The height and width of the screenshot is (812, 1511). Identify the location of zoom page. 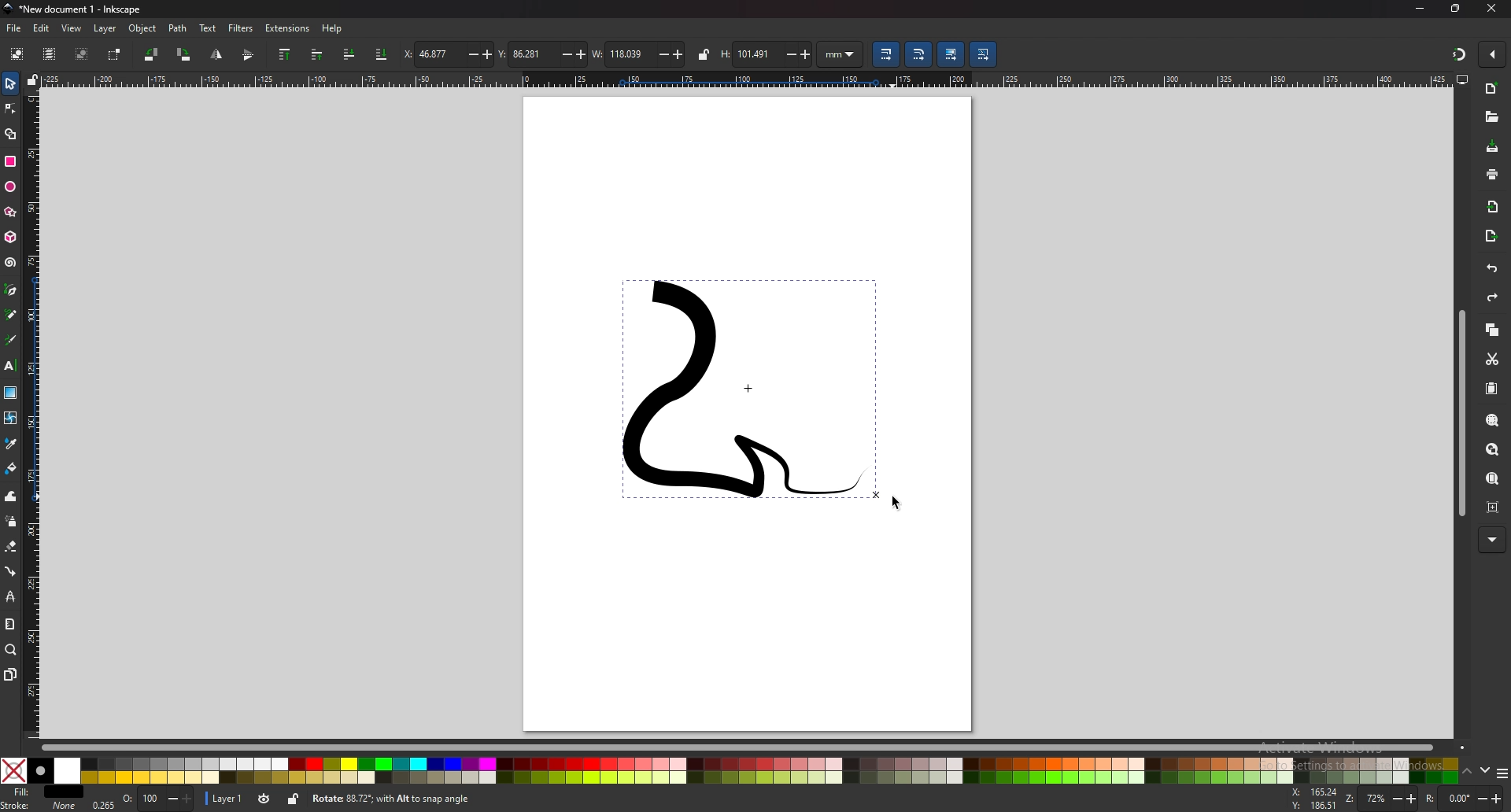
(1492, 479).